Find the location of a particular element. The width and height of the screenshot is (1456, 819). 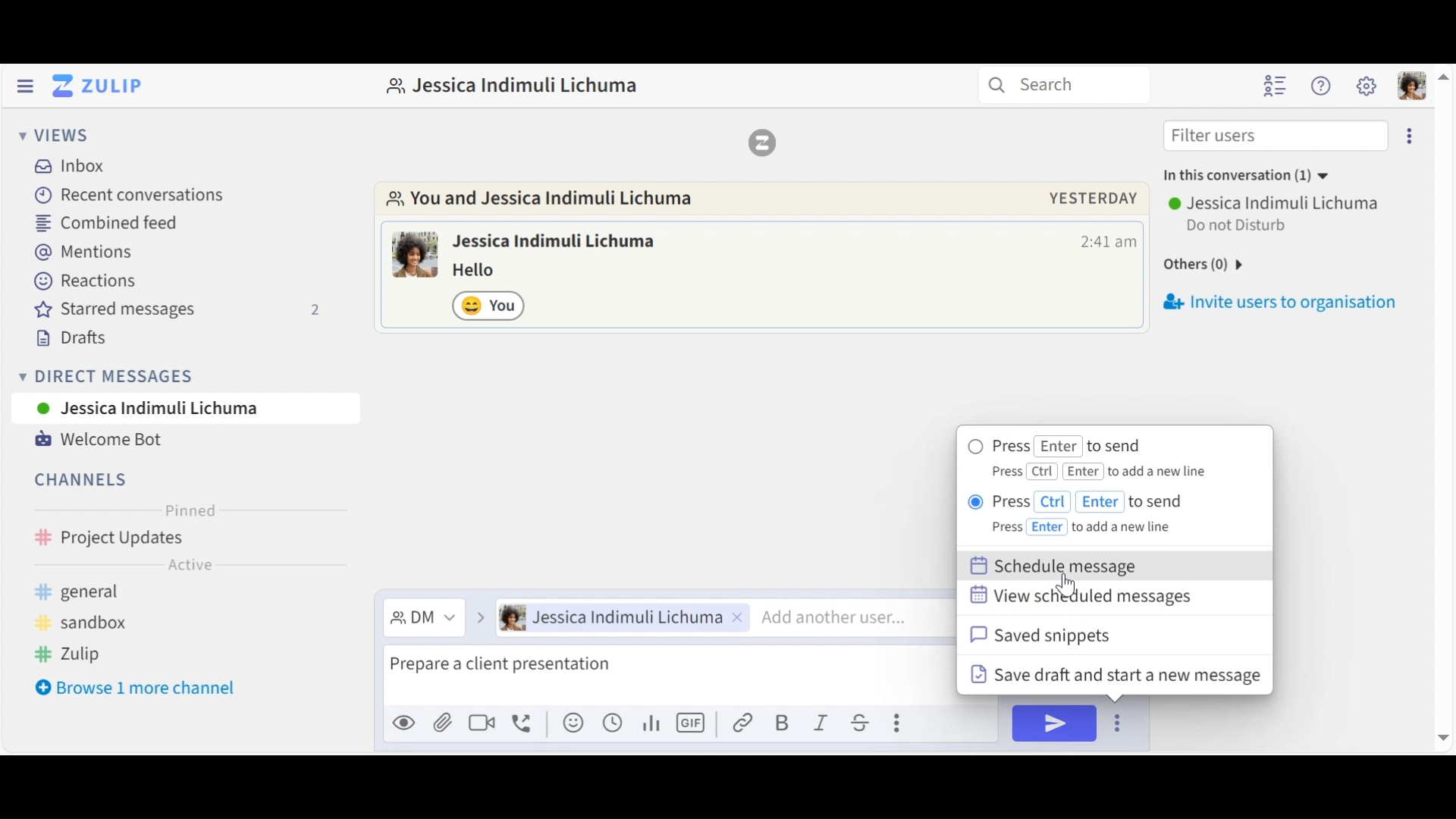

Direct Messages is located at coordinates (181, 375).